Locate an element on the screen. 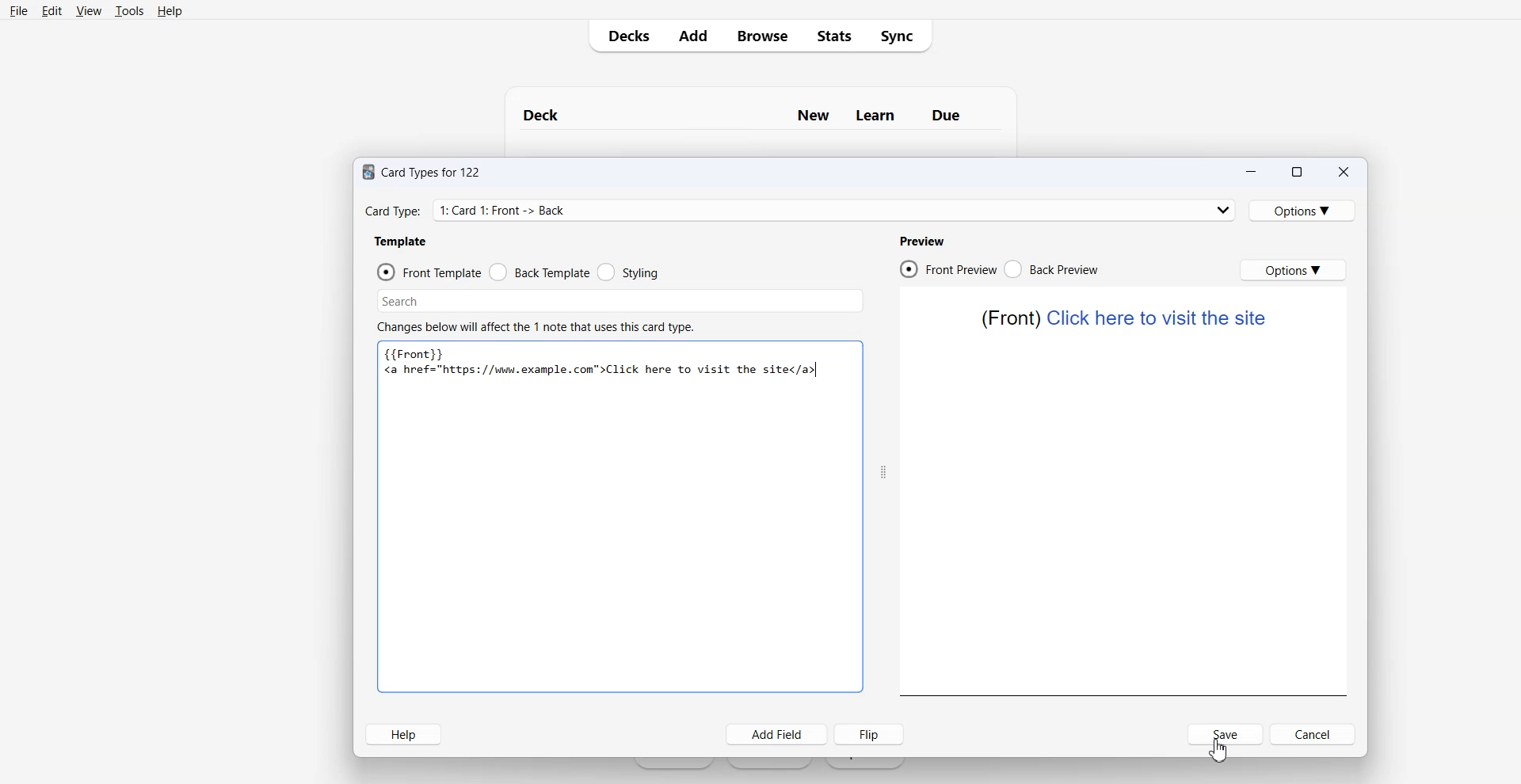 The image size is (1521, 784). Options is located at coordinates (1303, 210).